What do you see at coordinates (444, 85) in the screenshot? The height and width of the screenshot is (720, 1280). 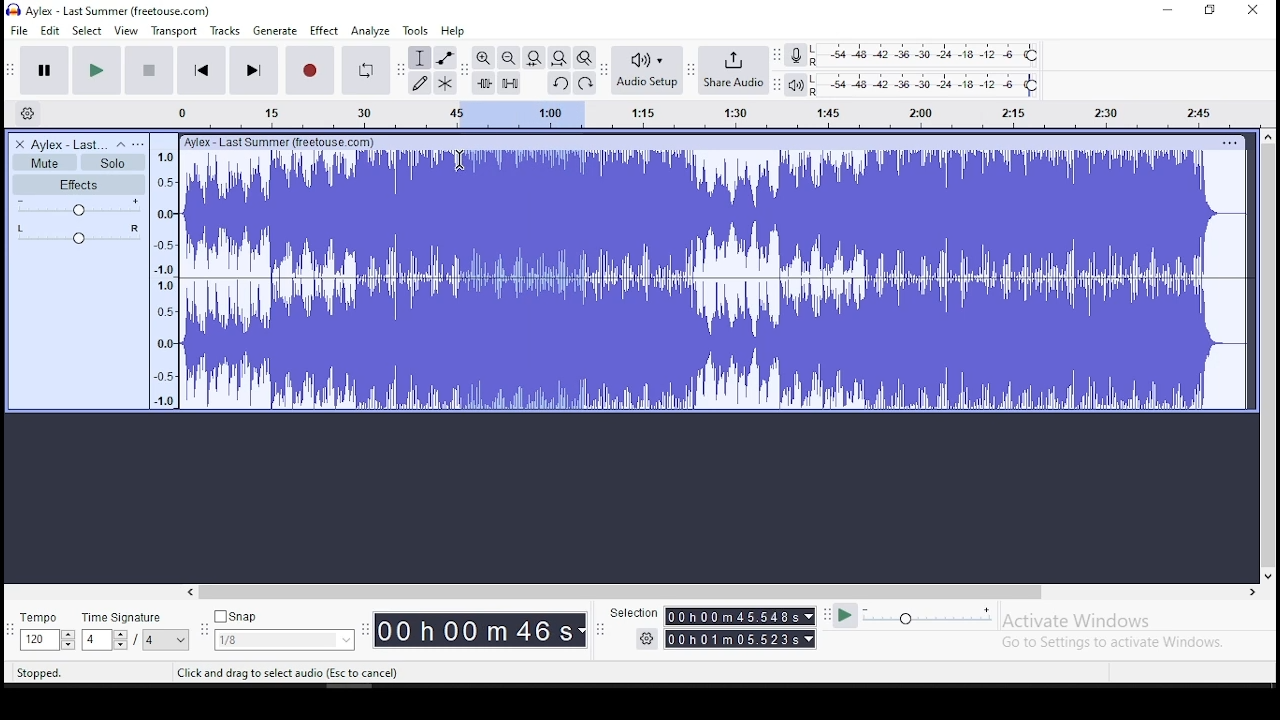 I see `multi tool` at bounding box center [444, 85].